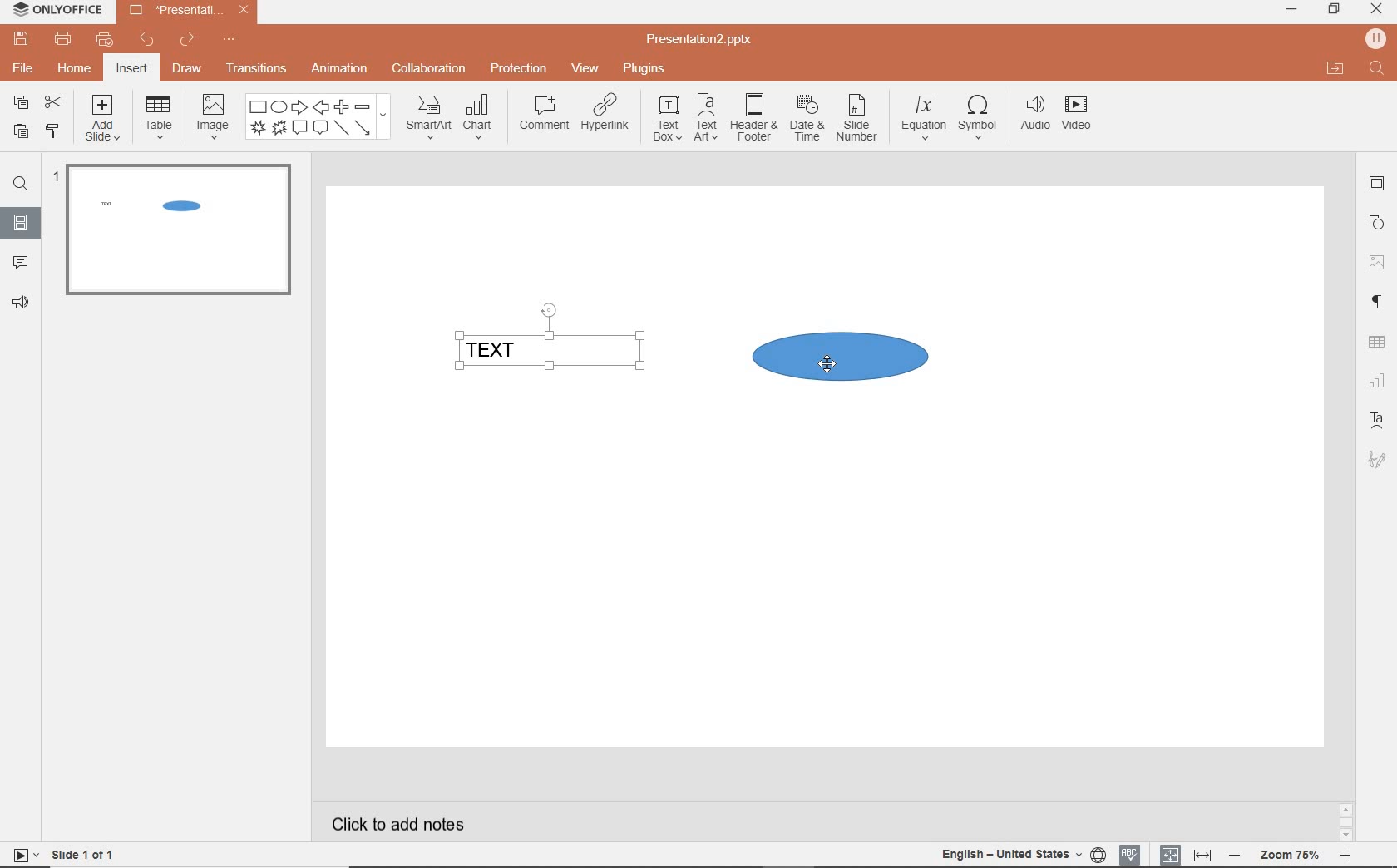  What do you see at coordinates (1132, 854) in the screenshot?
I see `SPELL CHECKING` at bounding box center [1132, 854].